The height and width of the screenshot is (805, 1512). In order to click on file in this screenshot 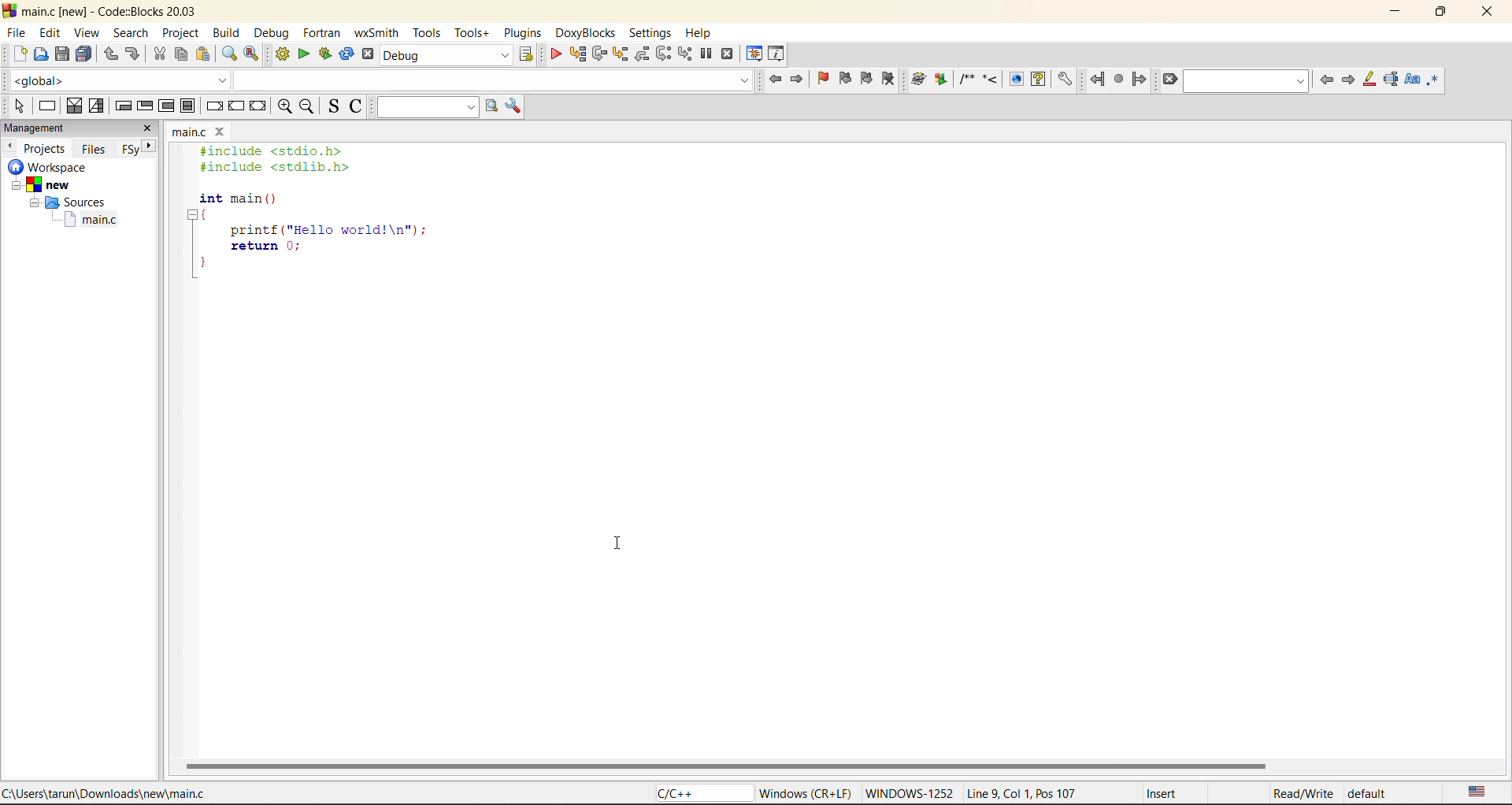, I will do `click(14, 34)`.